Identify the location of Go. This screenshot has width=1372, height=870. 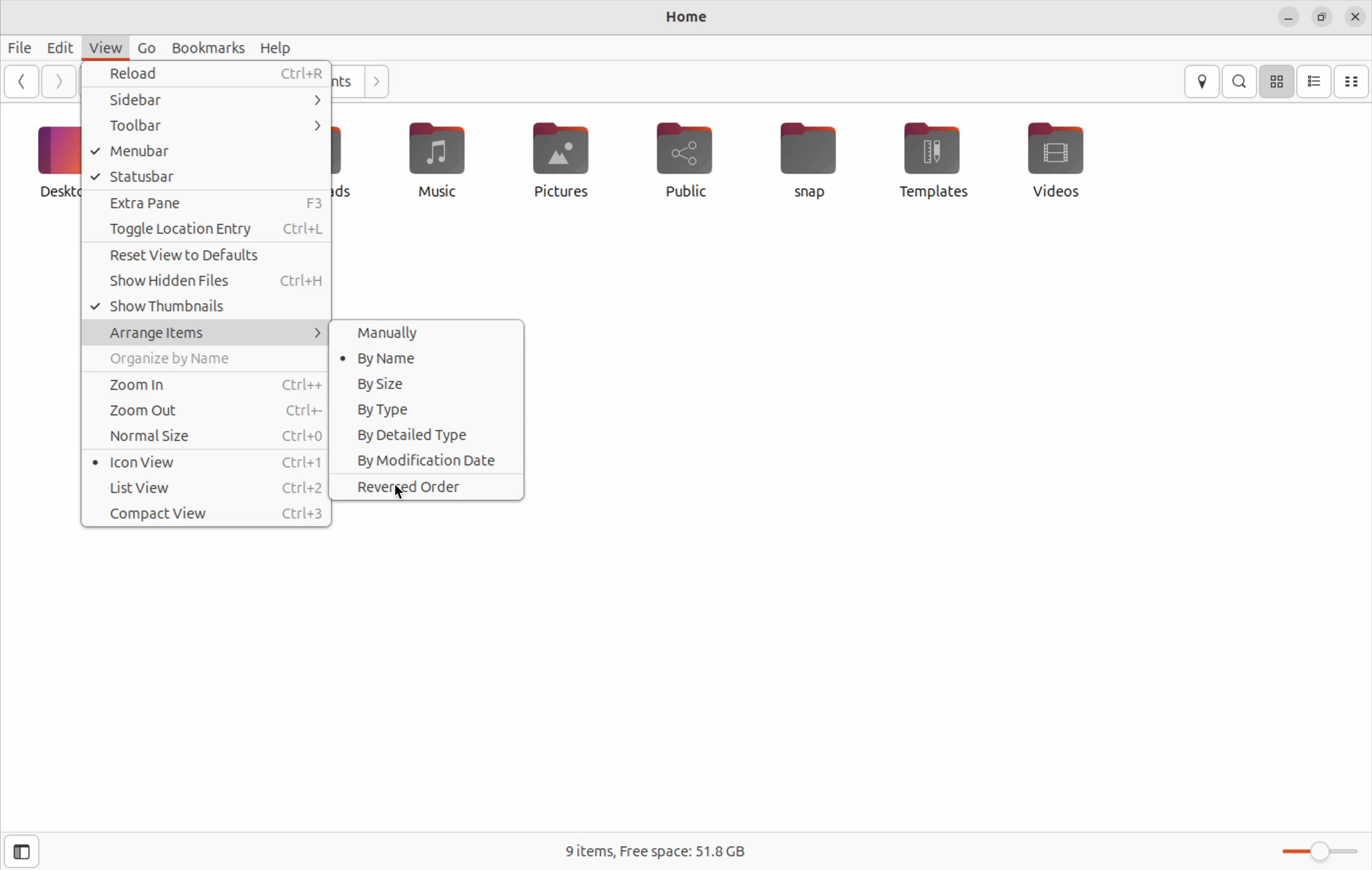
(147, 50).